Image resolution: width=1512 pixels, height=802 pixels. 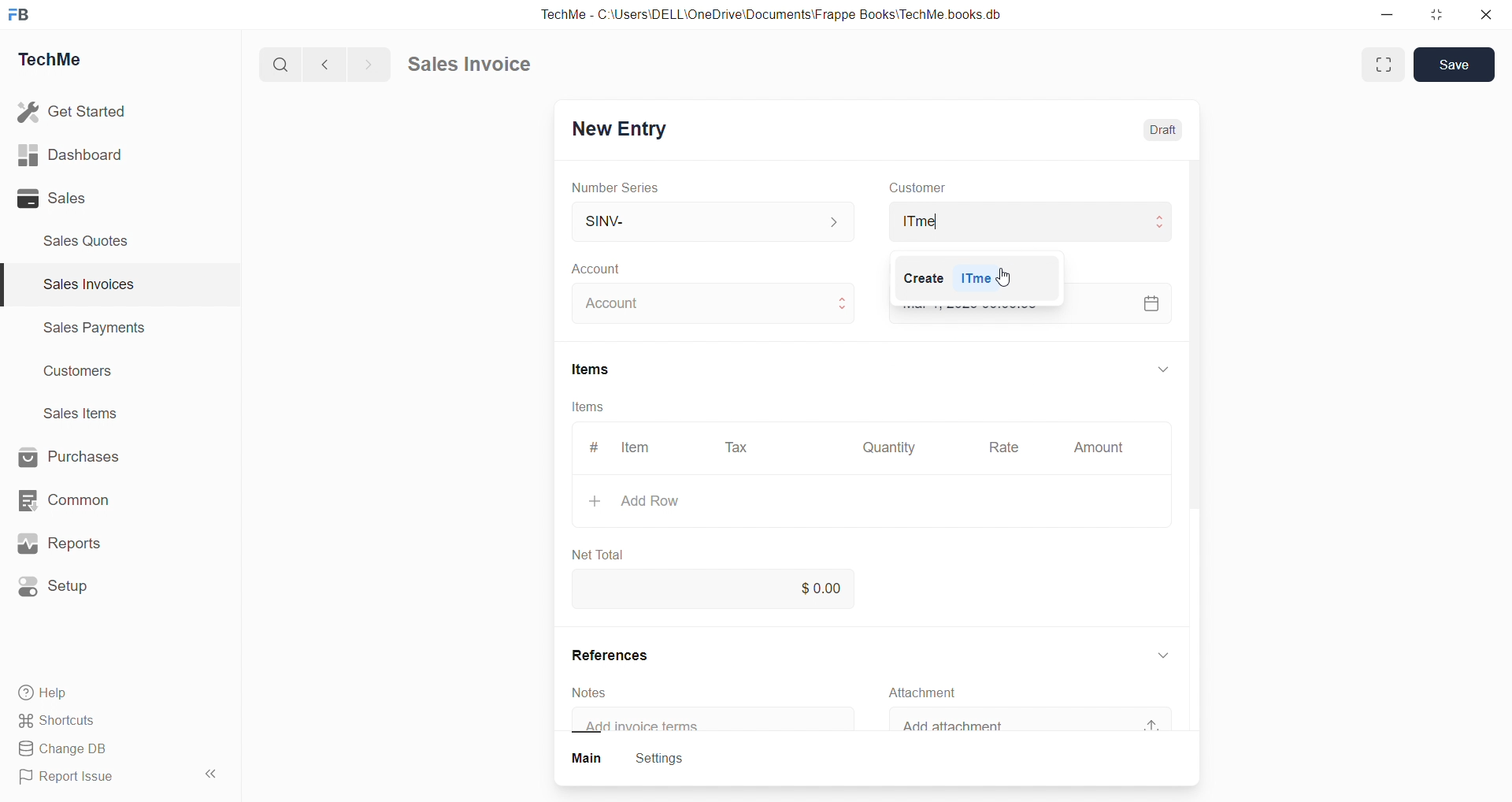 What do you see at coordinates (630, 447) in the screenshot?
I see `# Item` at bounding box center [630, 447].